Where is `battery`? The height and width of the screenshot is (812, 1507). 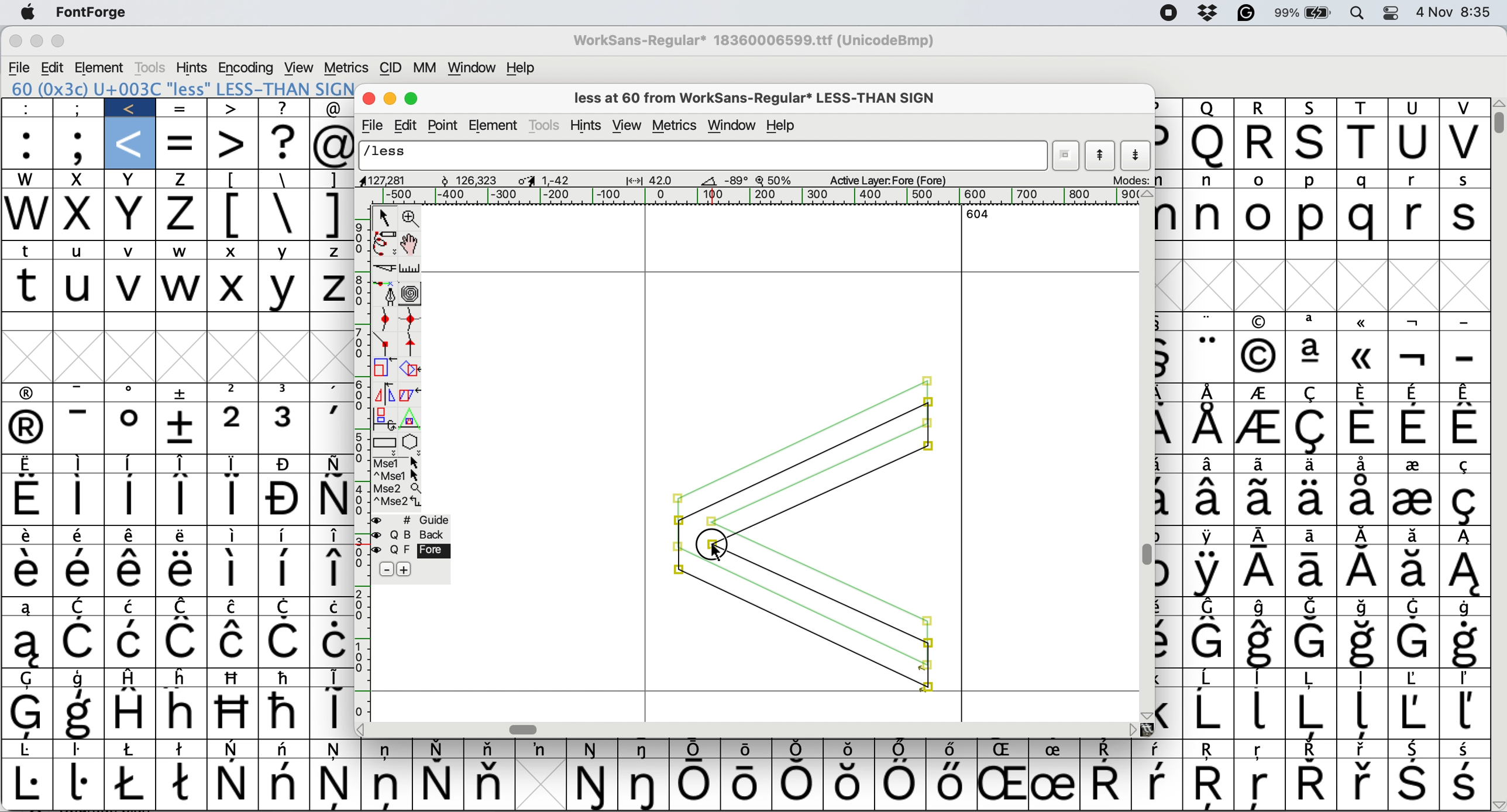 battery is located at coordinates (1303, 13).